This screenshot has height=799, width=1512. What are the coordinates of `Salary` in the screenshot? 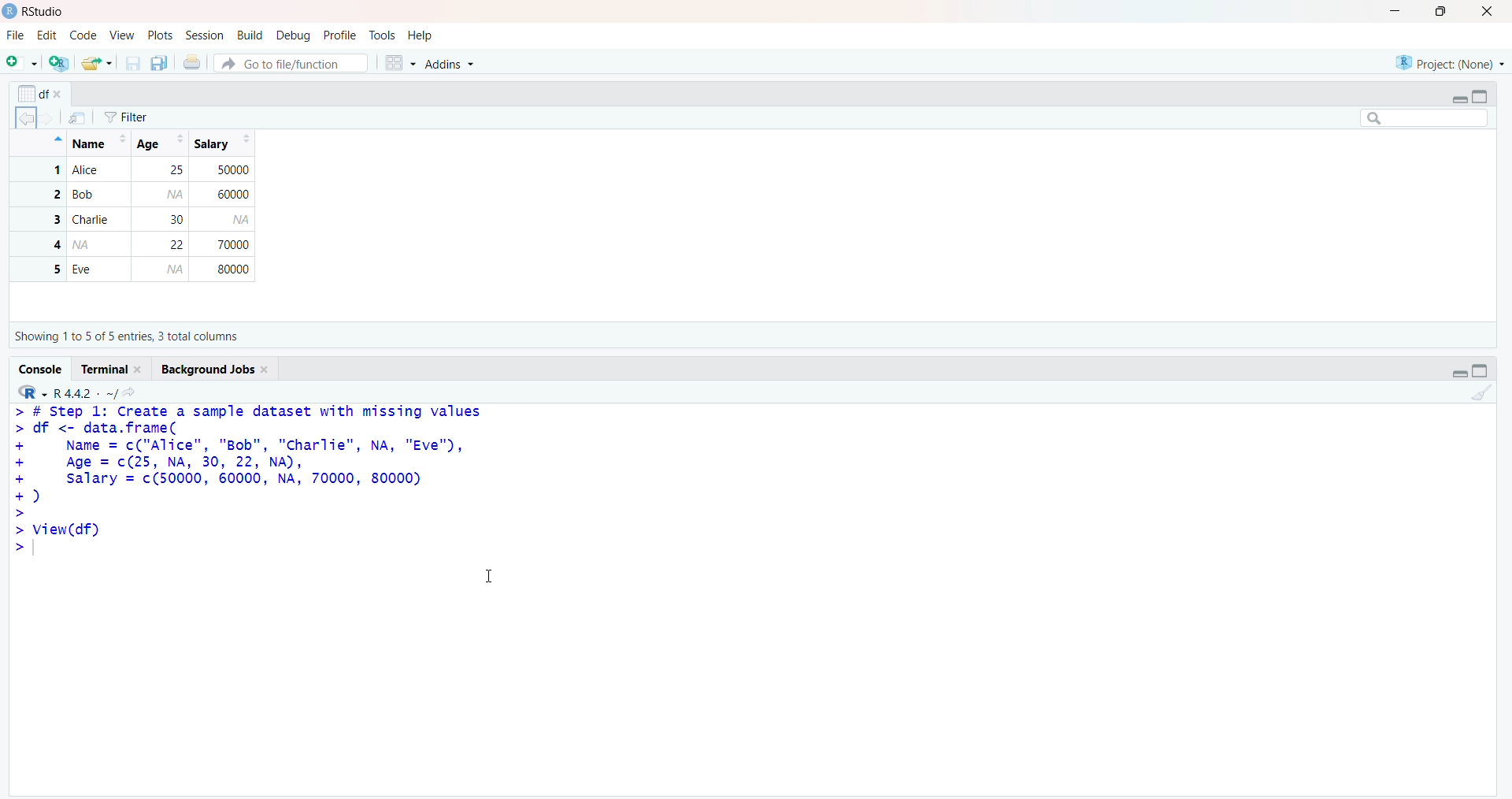 It's located at (221, 144).